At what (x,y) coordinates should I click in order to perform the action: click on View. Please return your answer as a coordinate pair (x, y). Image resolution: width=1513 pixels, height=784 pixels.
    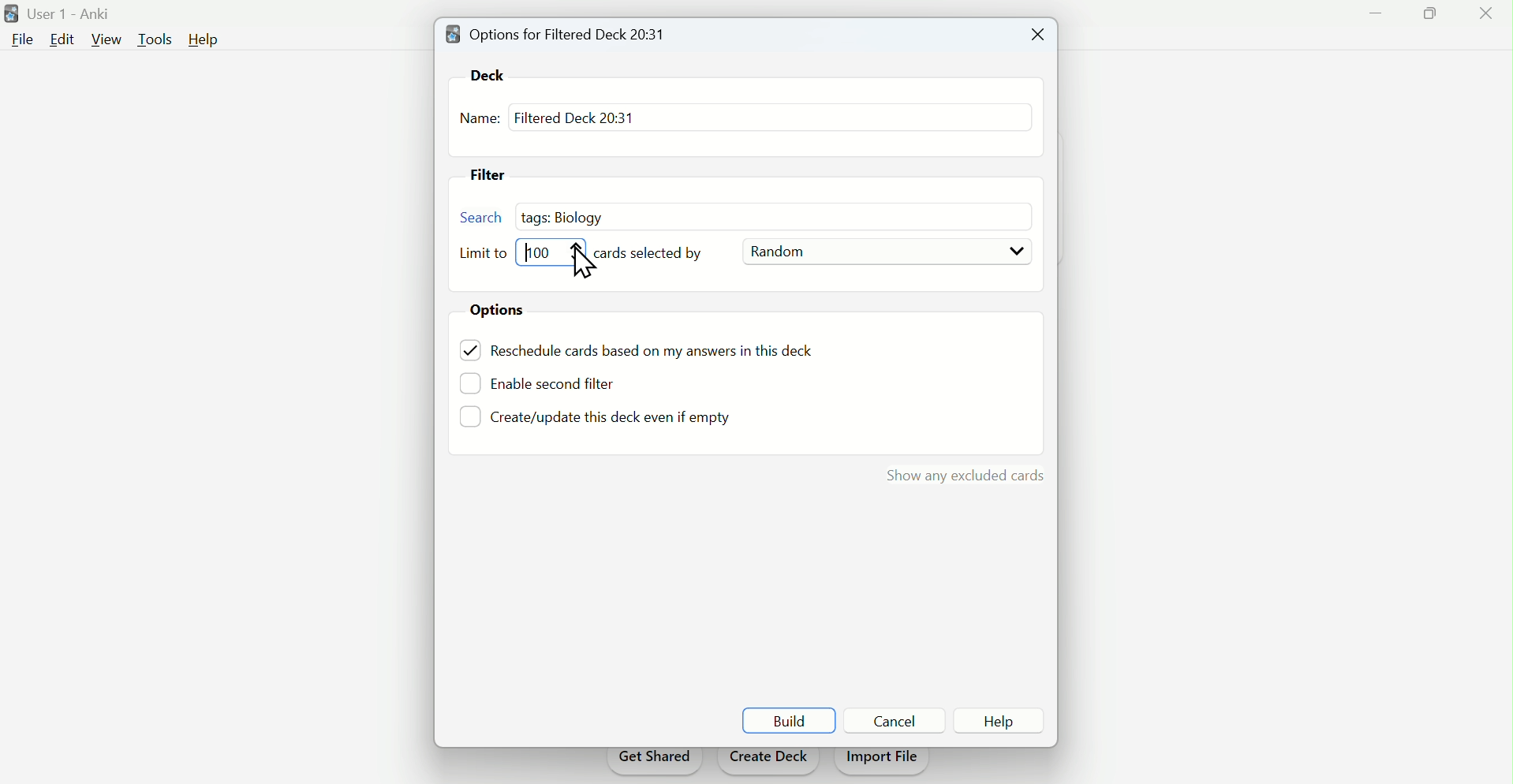
    Looking at the image, I should click on (107, 39).